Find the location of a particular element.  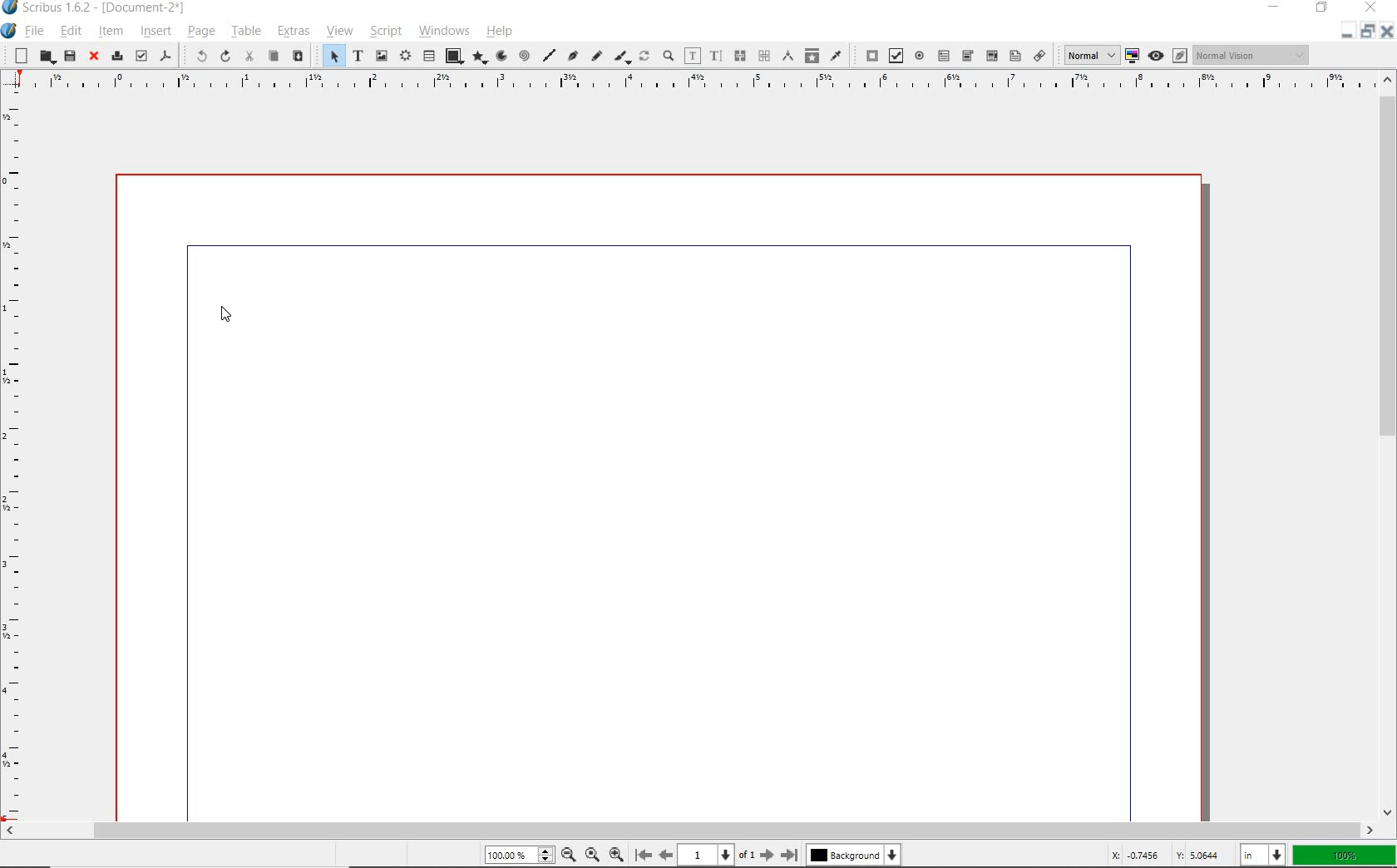

restore is located at coordinates (1368, 35).